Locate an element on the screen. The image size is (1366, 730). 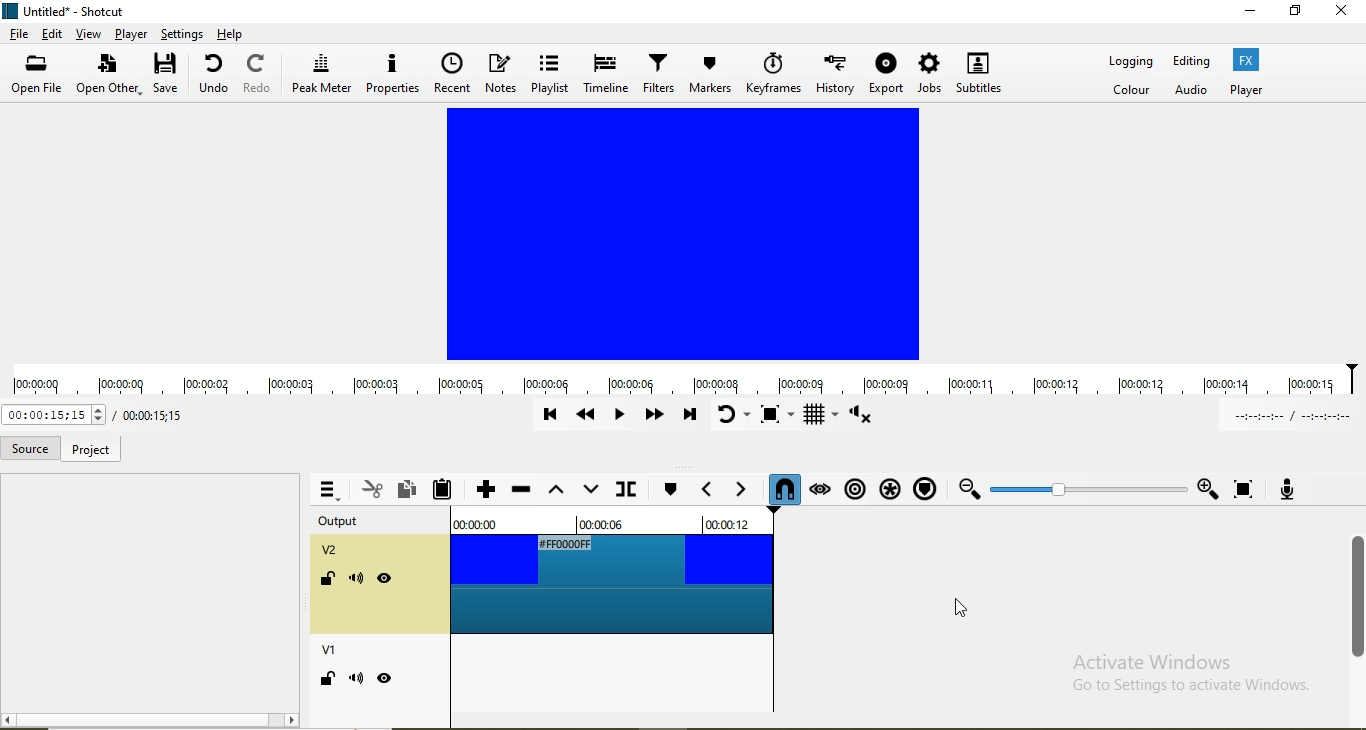
Play quickly backwards is located at coordinates (588, 418).